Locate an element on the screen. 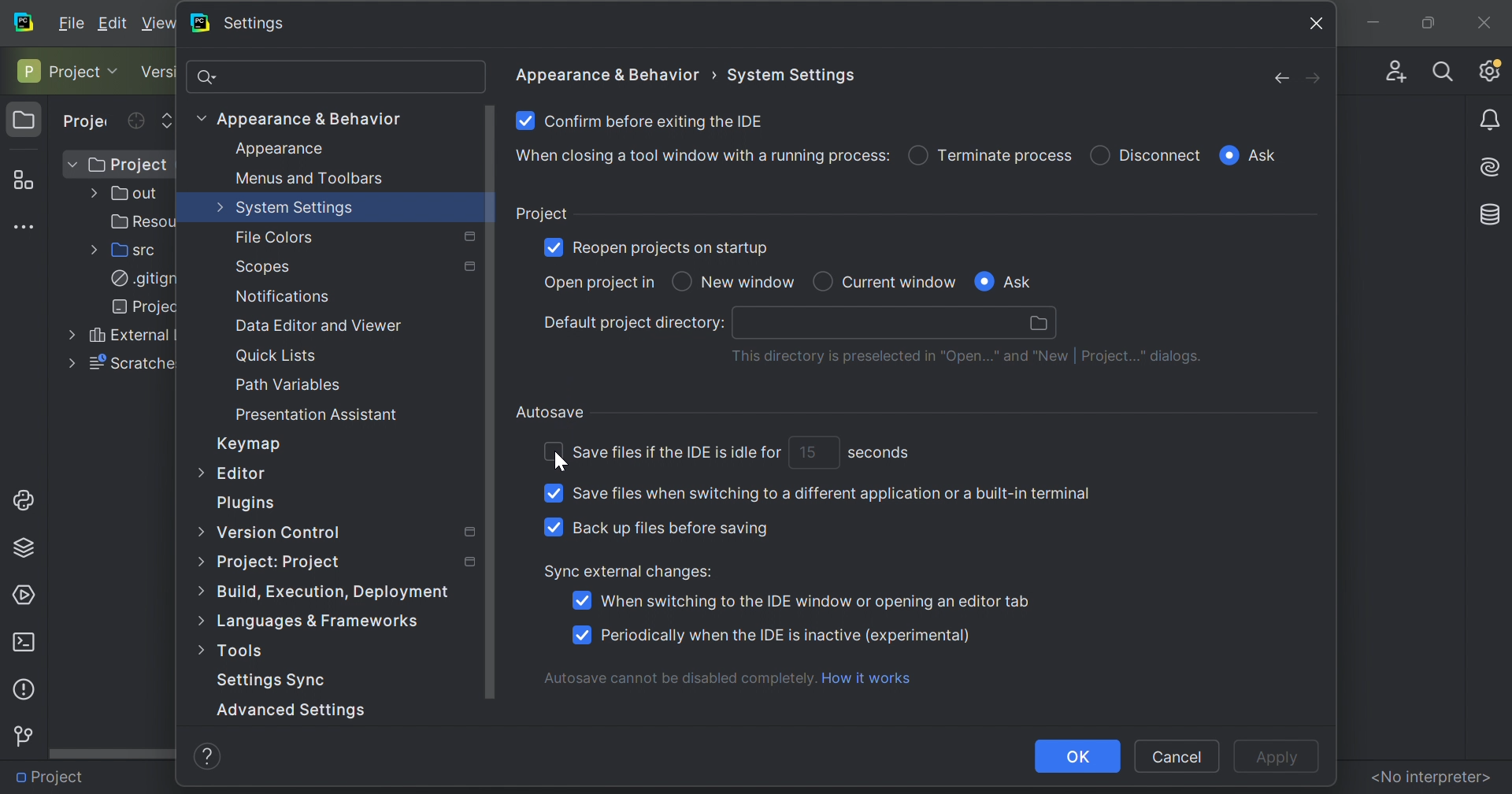  Project is located at coordinates (24, 121).